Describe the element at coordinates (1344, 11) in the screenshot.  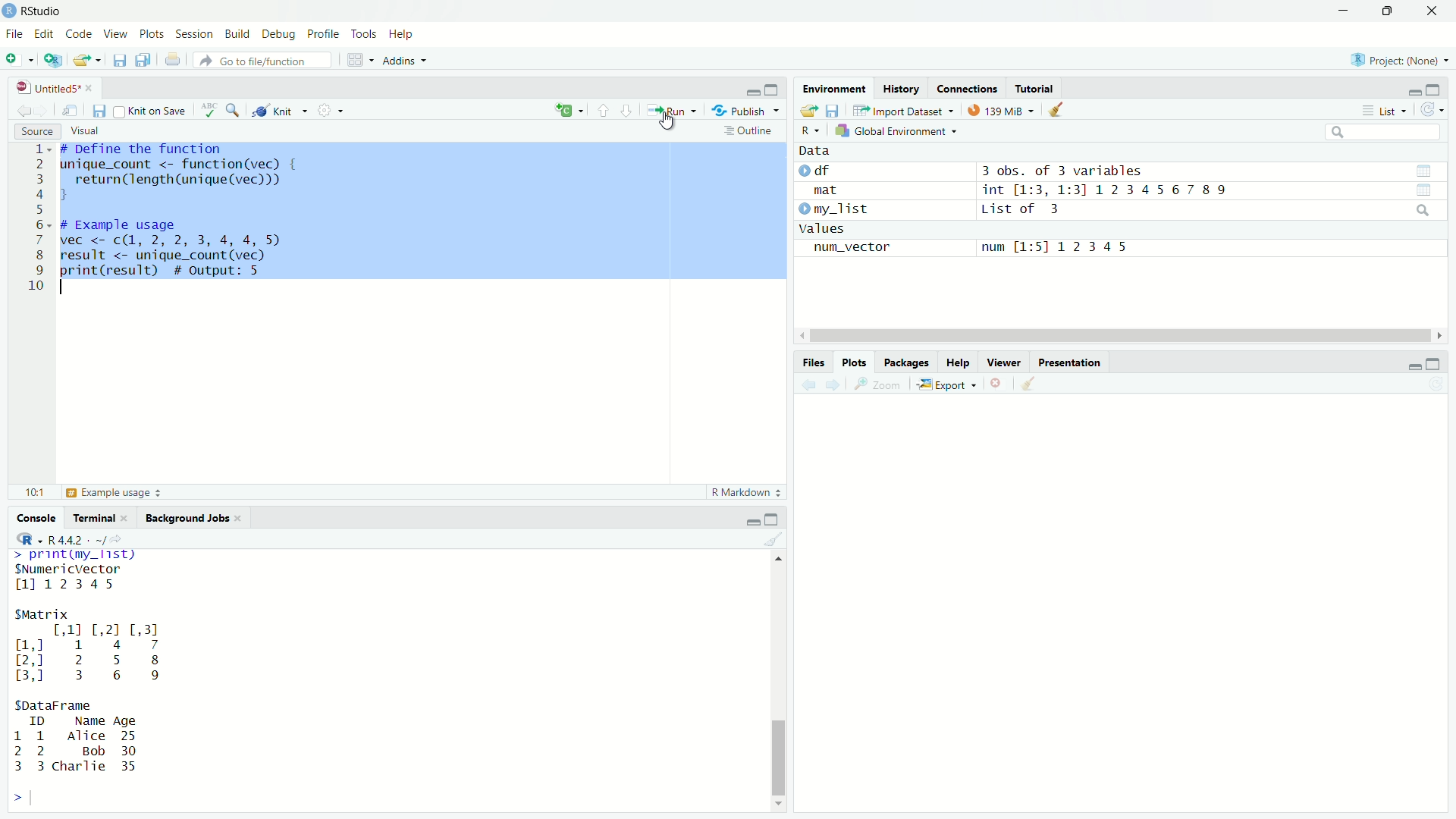
I see `minimize` at that location.